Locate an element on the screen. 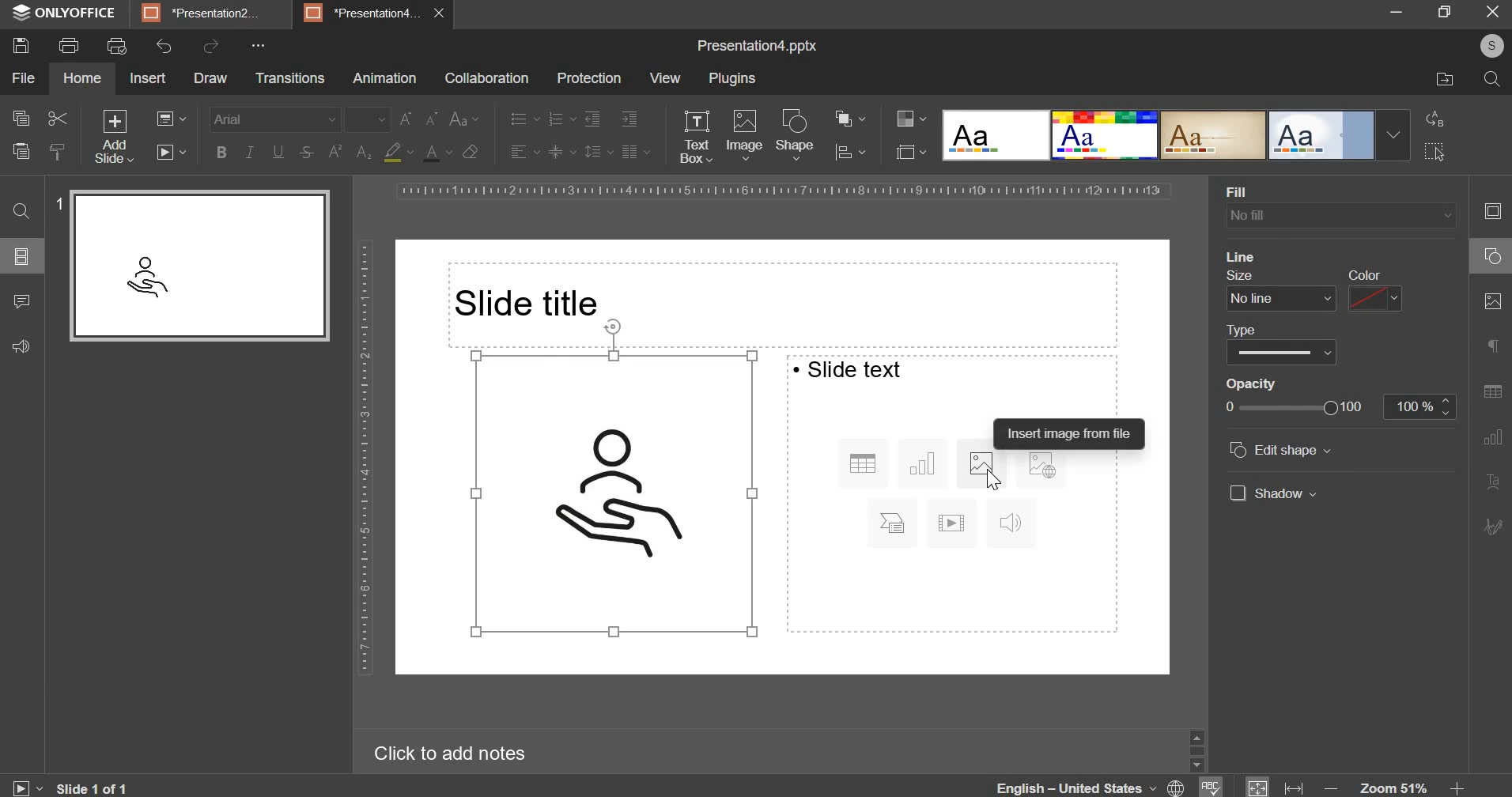 Image resolution: width=1512 pixels, height=797 pixels. slide preview is located at coordinates (199, 265).